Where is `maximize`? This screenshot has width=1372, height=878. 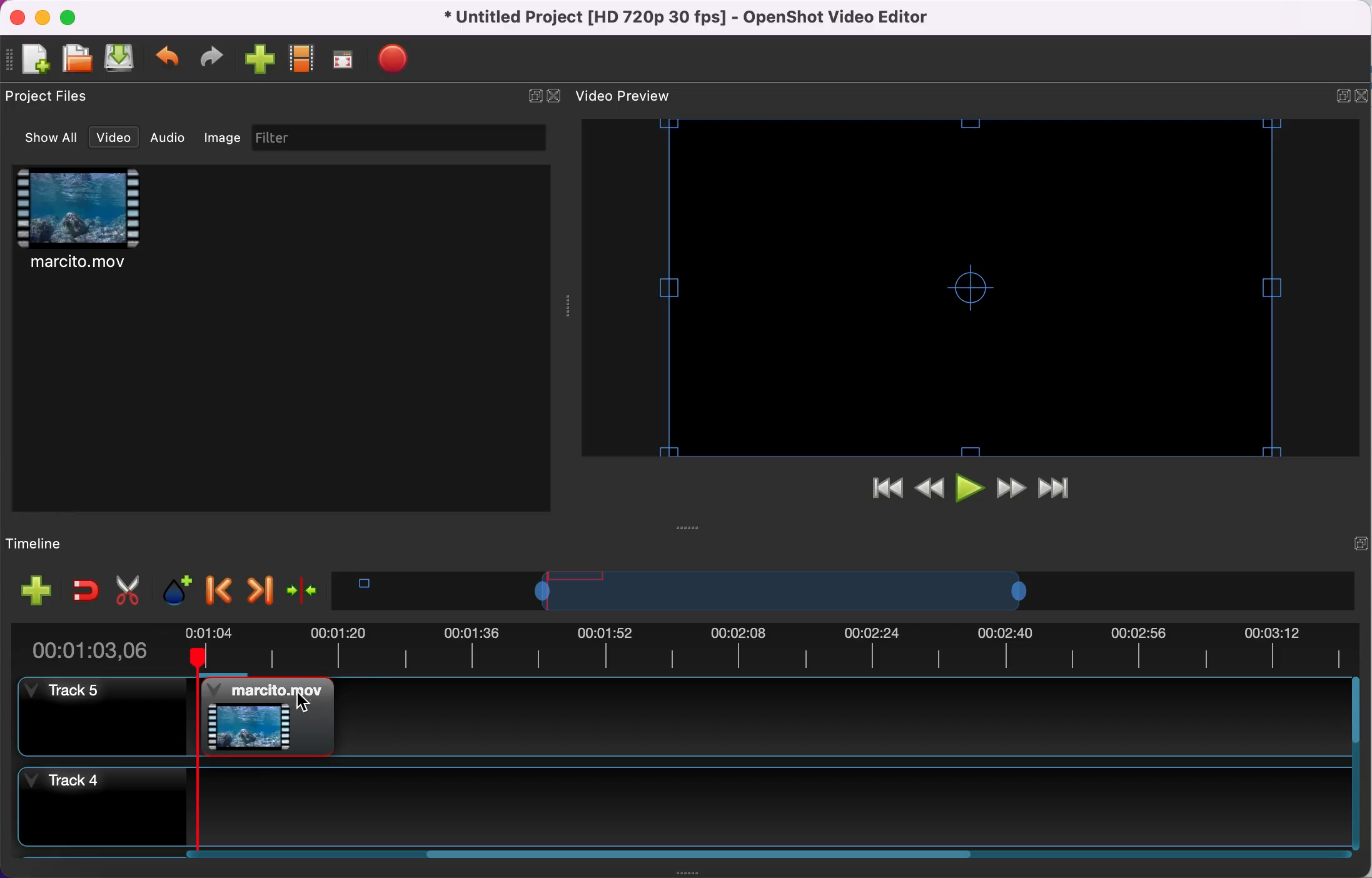
maximize is located at coordinates (78, 19).